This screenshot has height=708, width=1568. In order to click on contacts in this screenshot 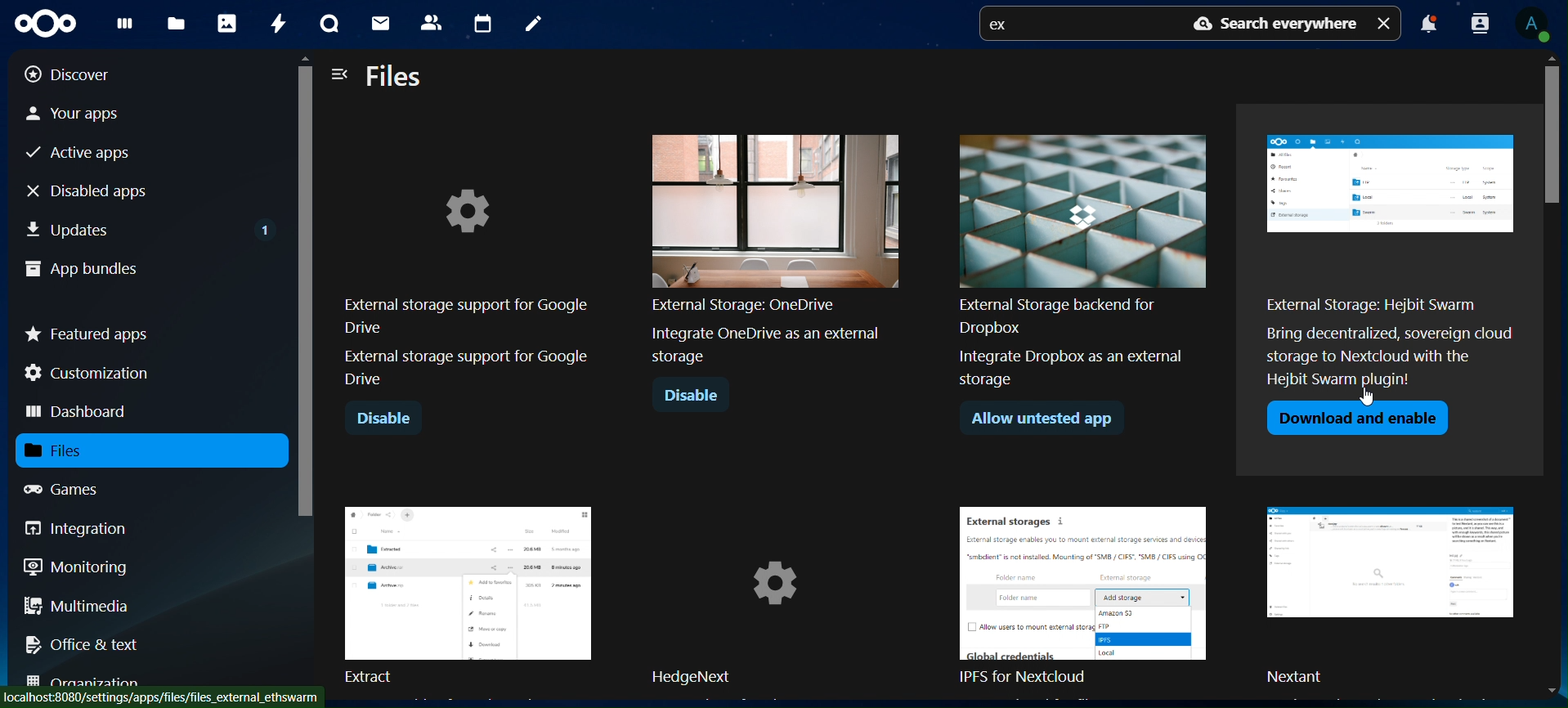, I will do `click(431, 21)`.